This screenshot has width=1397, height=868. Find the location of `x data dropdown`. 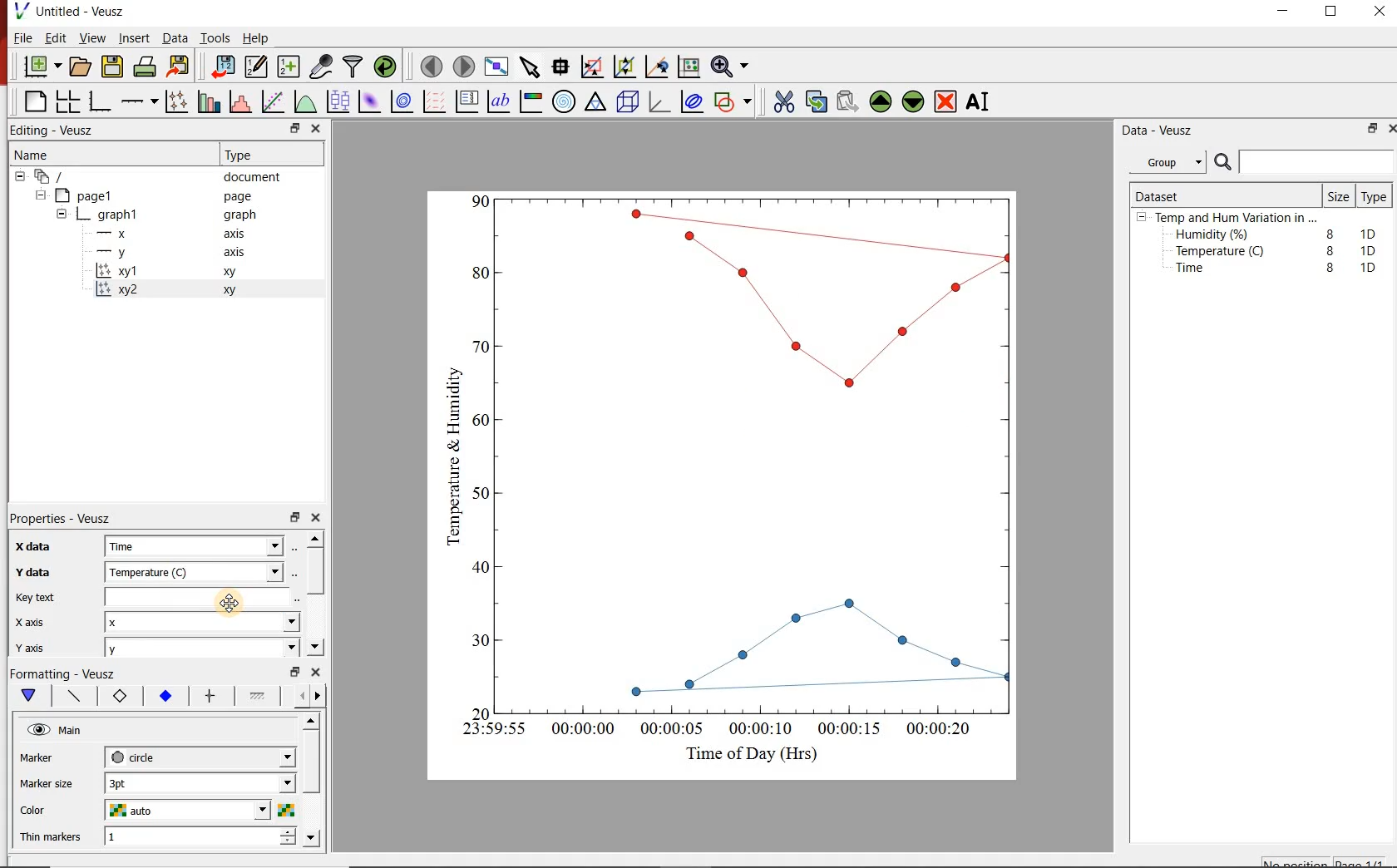

x data dropdown is located at coordinates (250, 545).